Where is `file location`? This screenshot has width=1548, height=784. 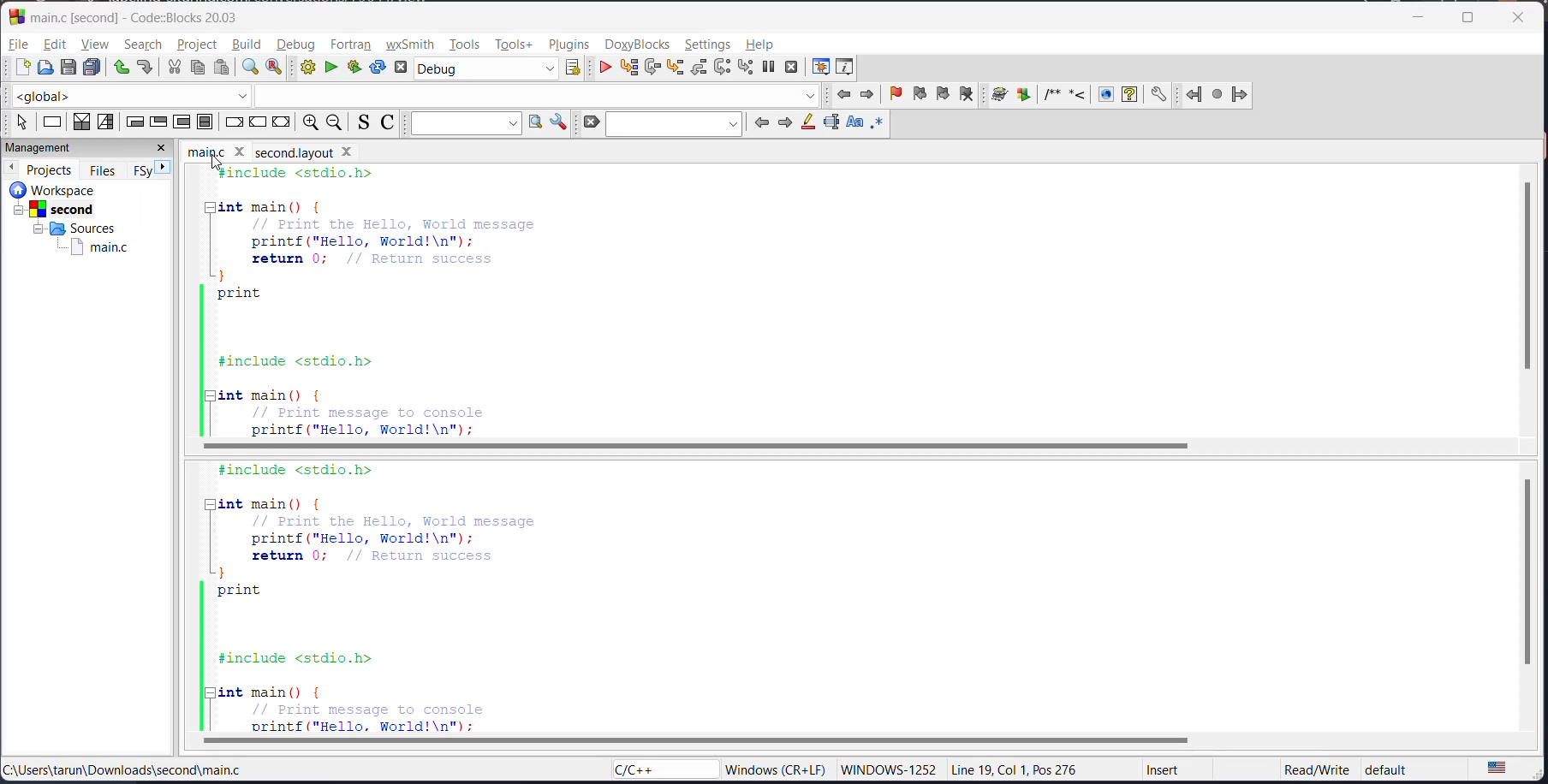 file location is located at coordinates (120, 771).